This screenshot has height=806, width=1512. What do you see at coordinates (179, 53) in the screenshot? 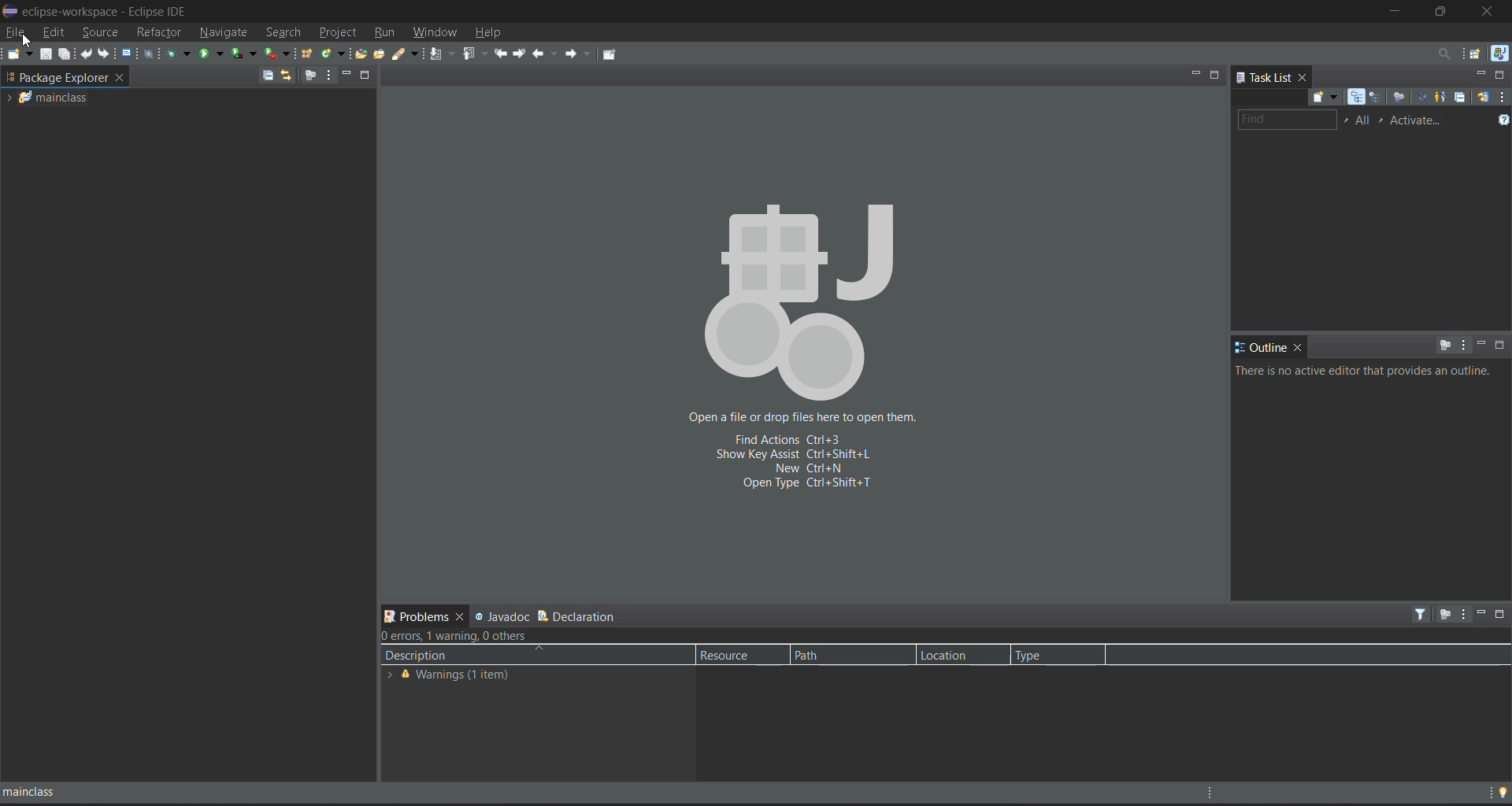
I see `debug` at bounding box center [179, 53].